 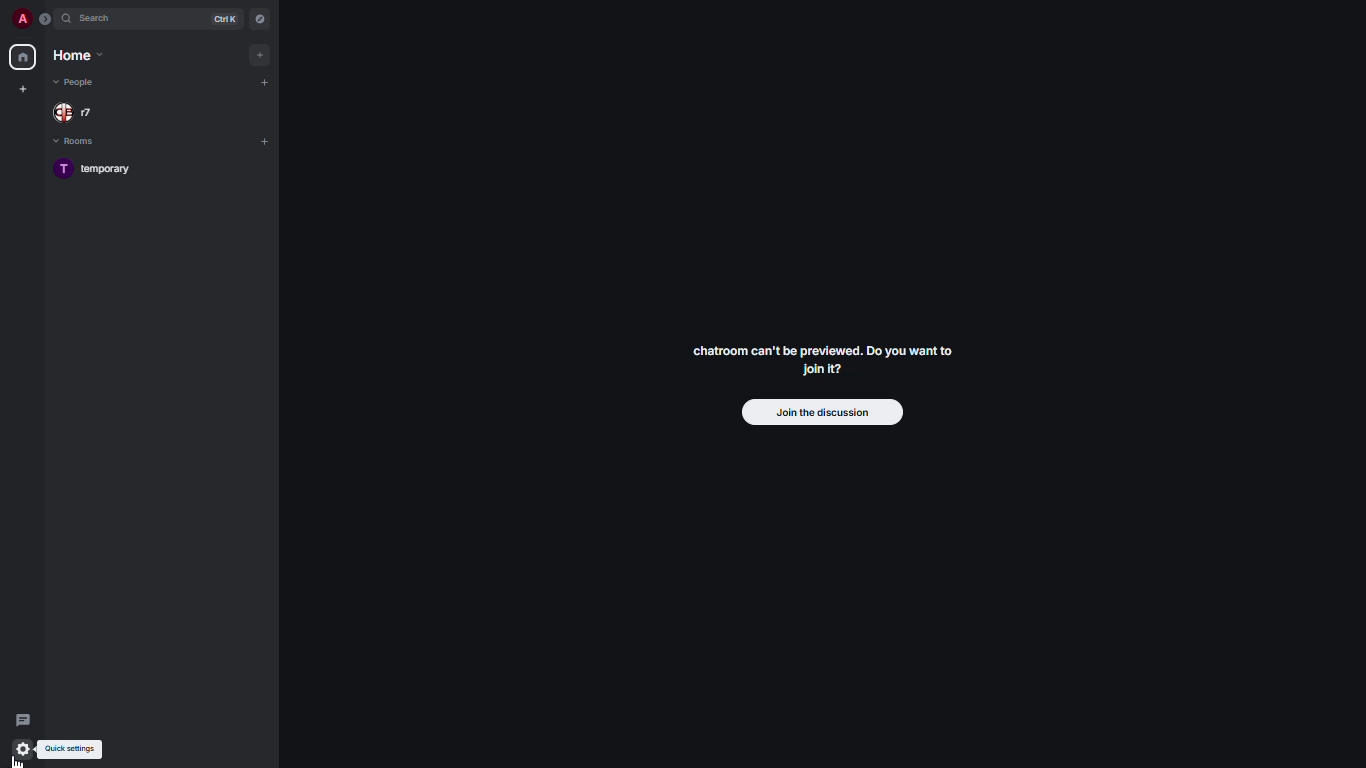 What do you see at coordinates (263, 55) in the screenshot?
I see `add` at bounding box center [263, 55].